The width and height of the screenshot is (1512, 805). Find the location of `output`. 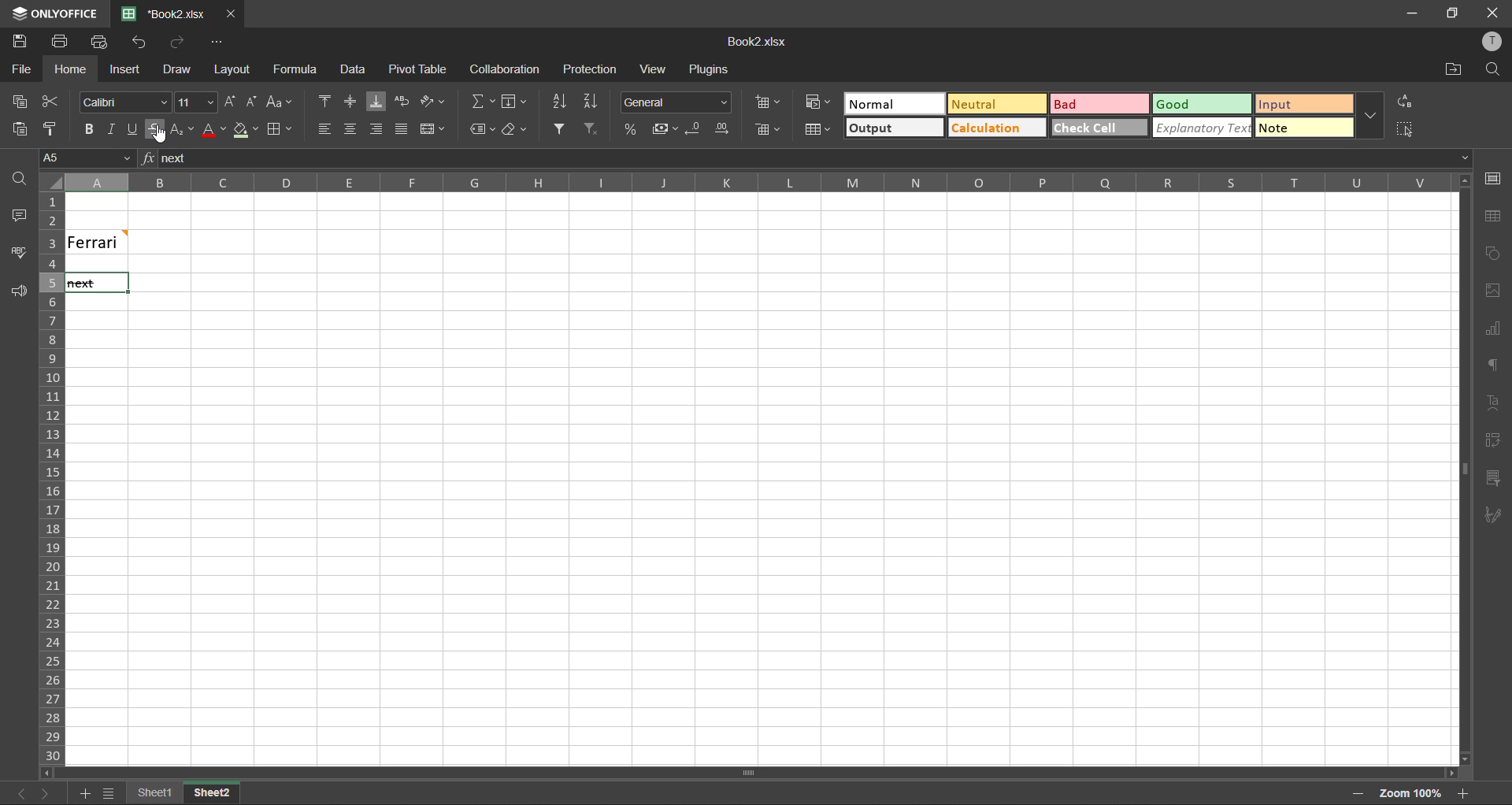

output is located at coordinates (894, 128).